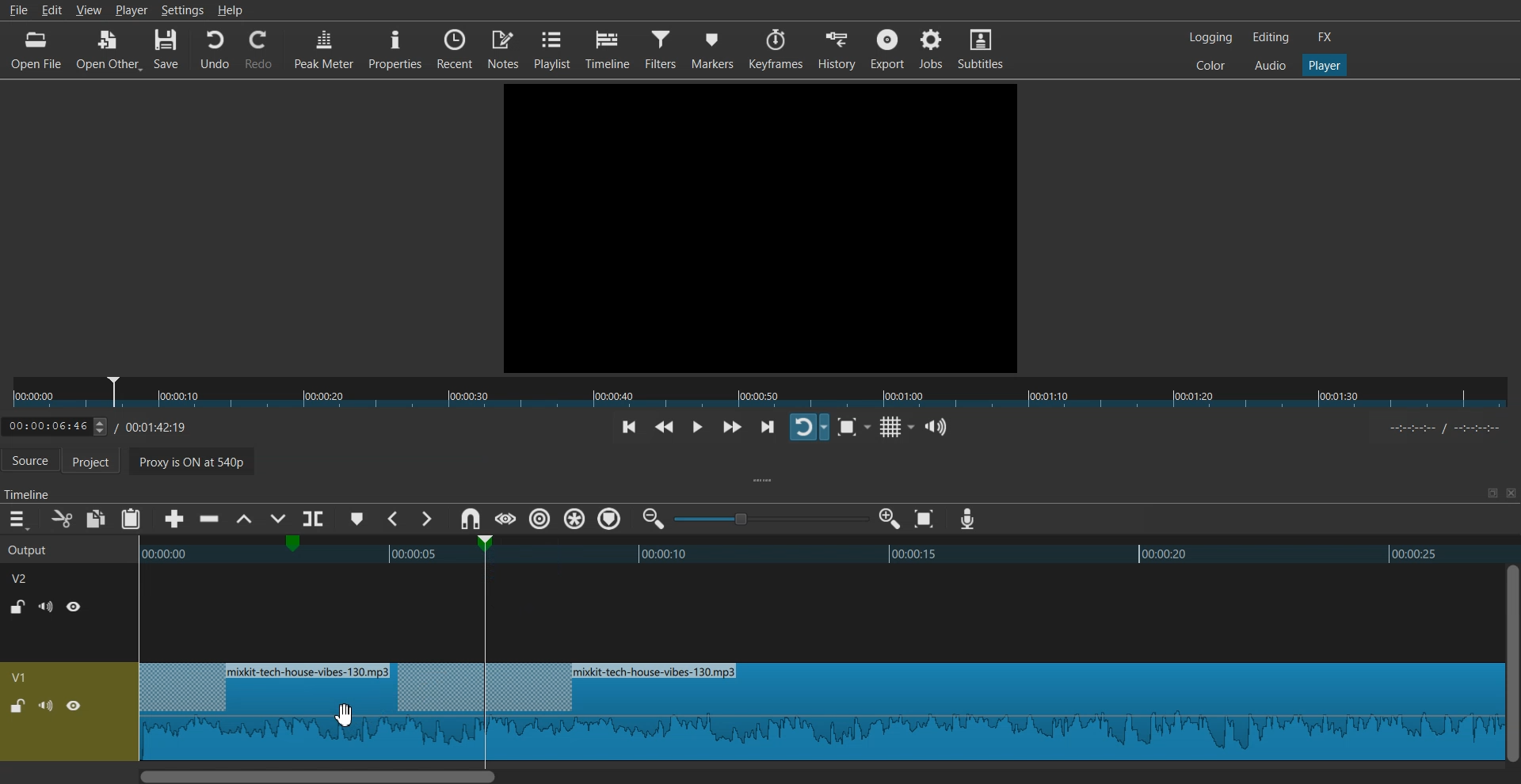 The width and height of the screenshot is (1521, 784). I want to click on Zoom adjuster toggle, so click(771, 519).